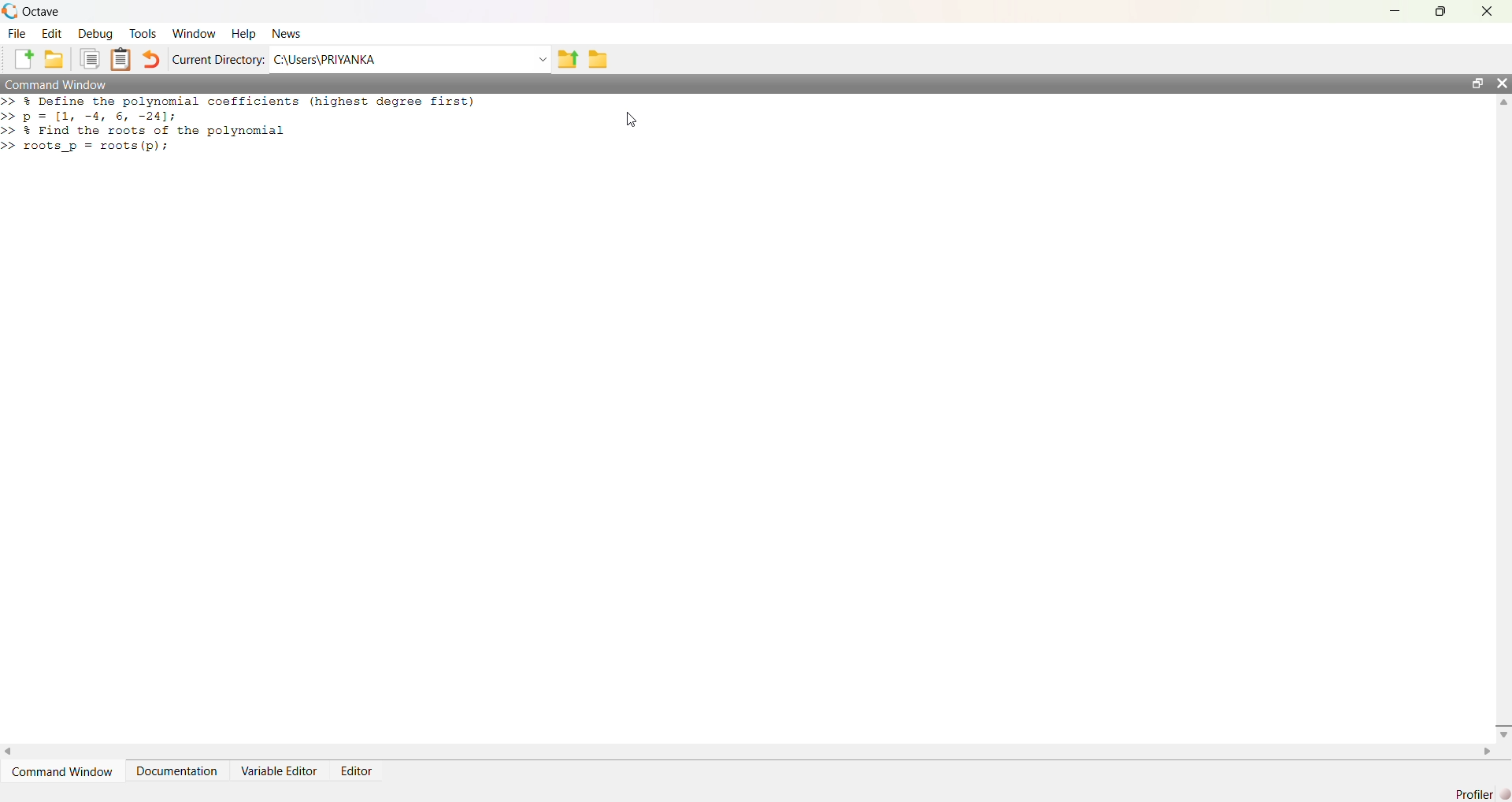 The height and width of the screenshot is (802, 1512). Describe the element at coordinates (15, 35) in the screenshot. I see `File` at that location.